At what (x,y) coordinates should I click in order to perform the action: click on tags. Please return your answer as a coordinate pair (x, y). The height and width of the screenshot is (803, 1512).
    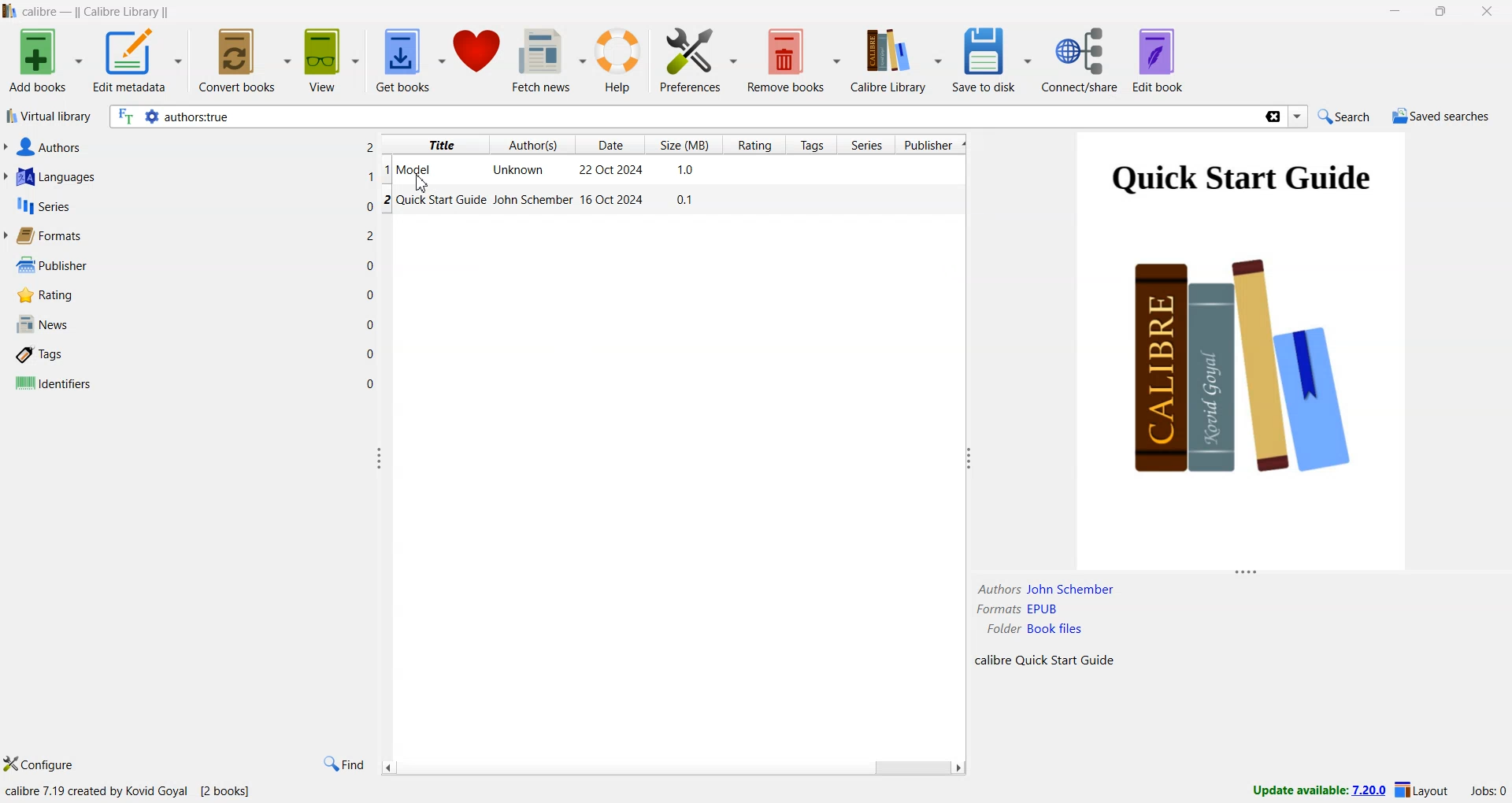
    Looking at the image, I should click on (42, 356).